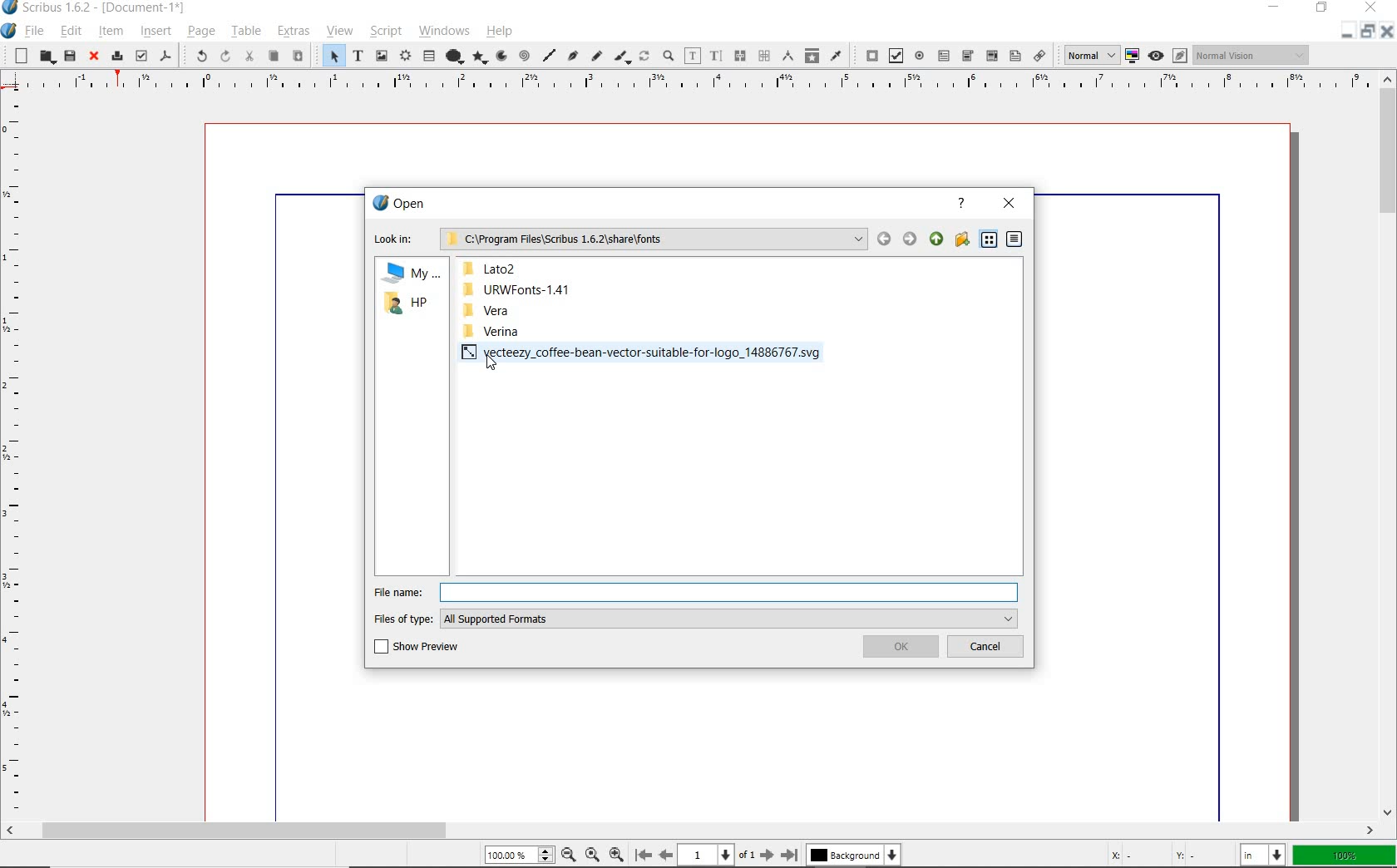 The width and height of the screenshot is (1397, 868). What do you see at coordinates (155, 32) in the screenshot?
I see `insert` at bounding box center [155, 32].